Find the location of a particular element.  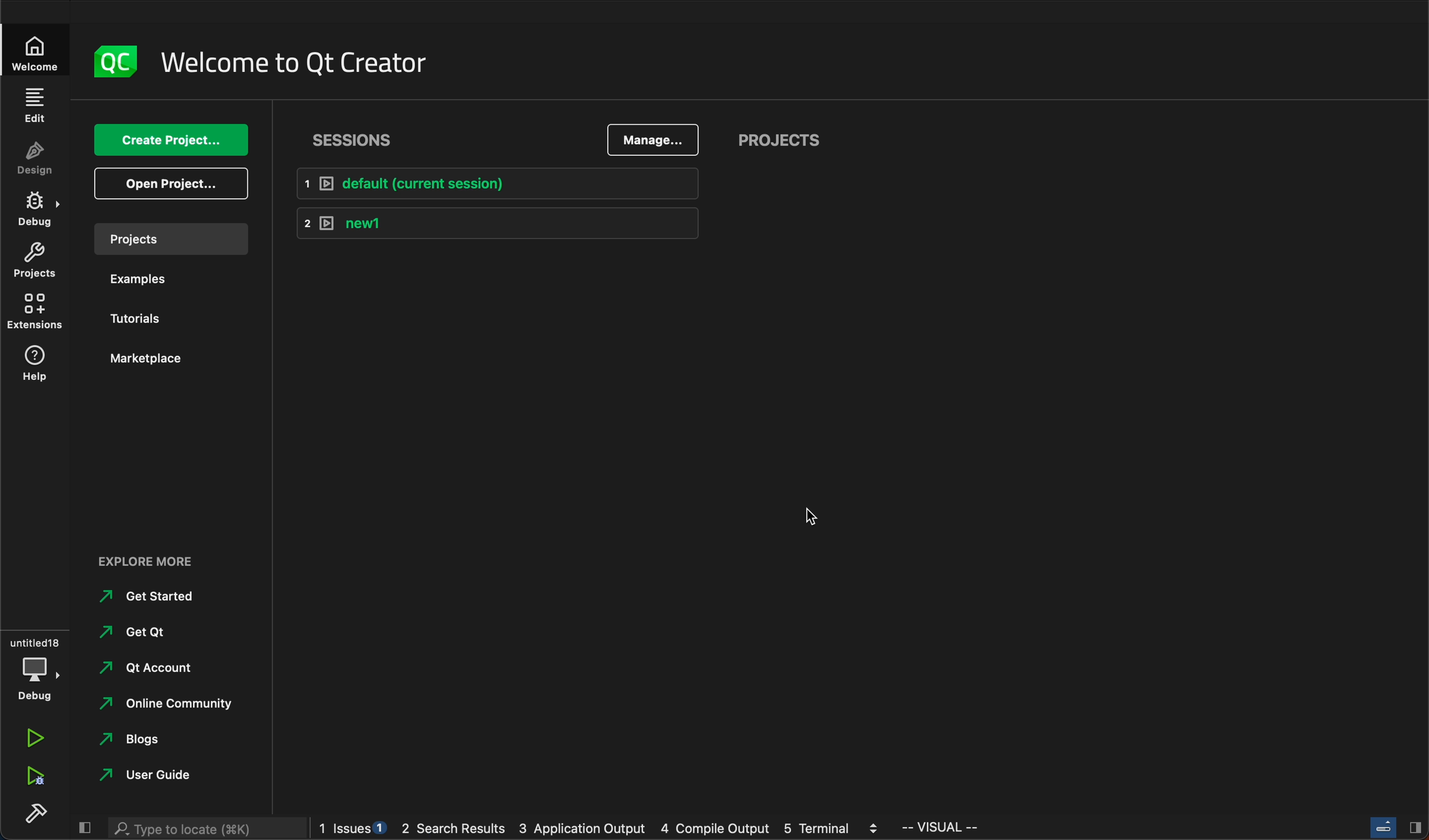

logo is located at coordinates (119, 60).